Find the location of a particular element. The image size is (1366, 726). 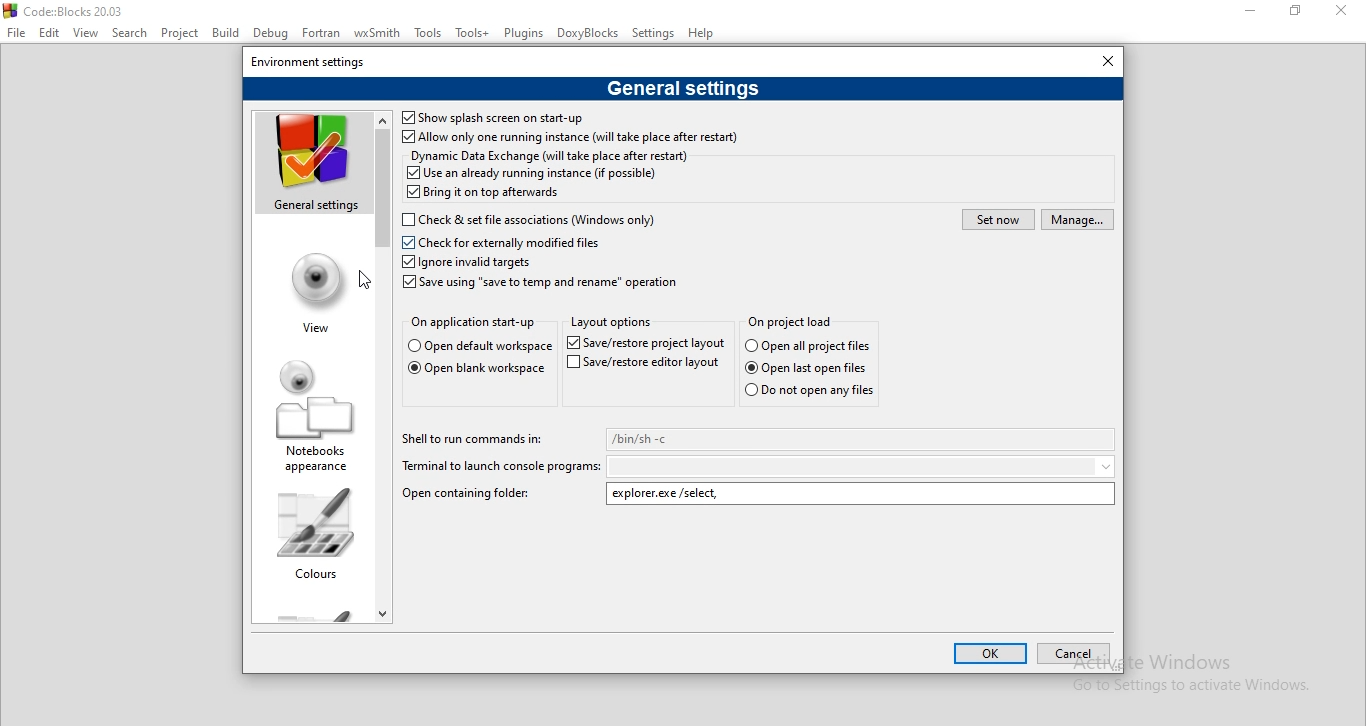

Do not open any files is located at coordinates (810, 390).